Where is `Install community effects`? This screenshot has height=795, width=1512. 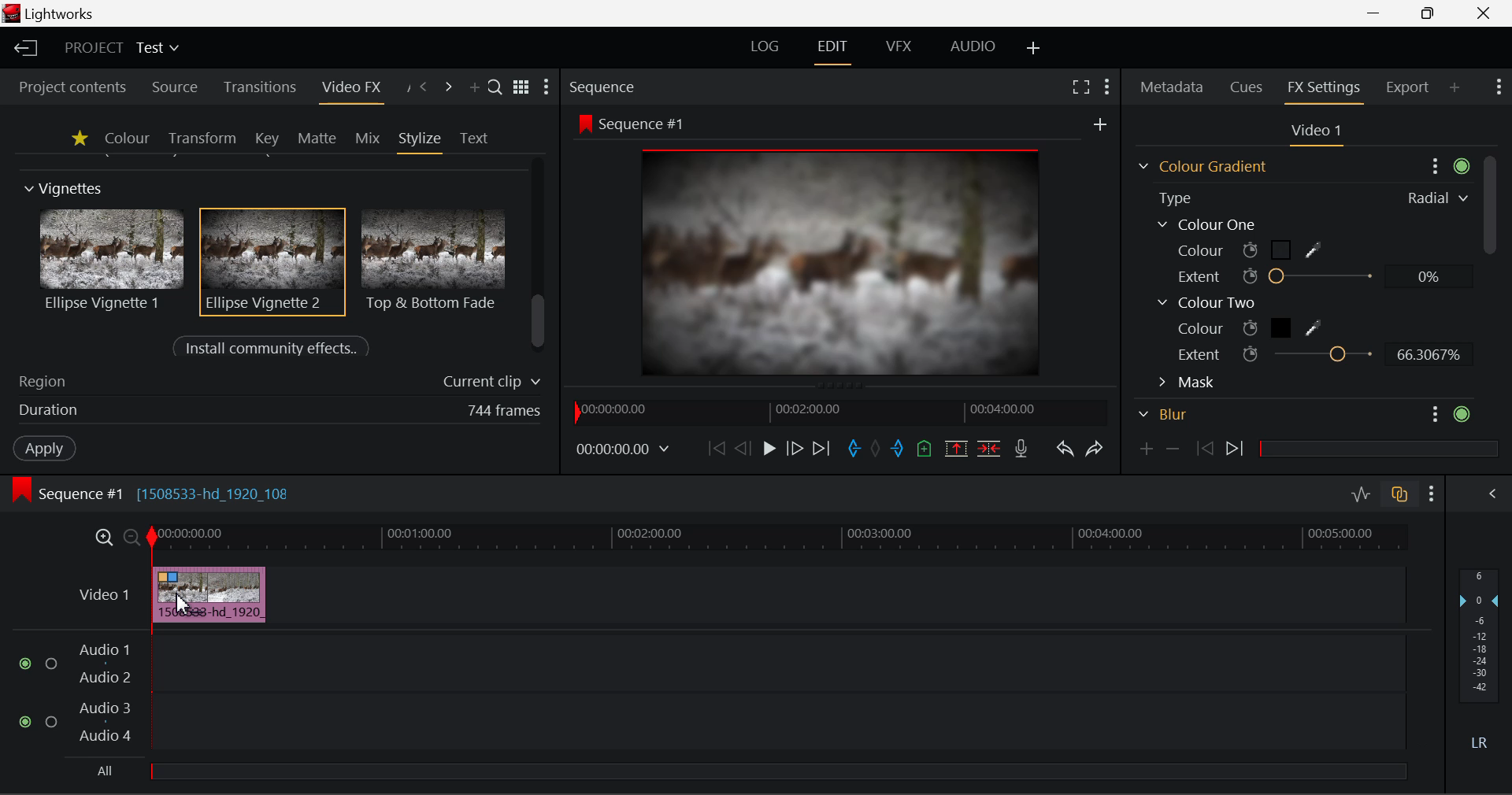 Install community effects is located at coordinates (275, 349).